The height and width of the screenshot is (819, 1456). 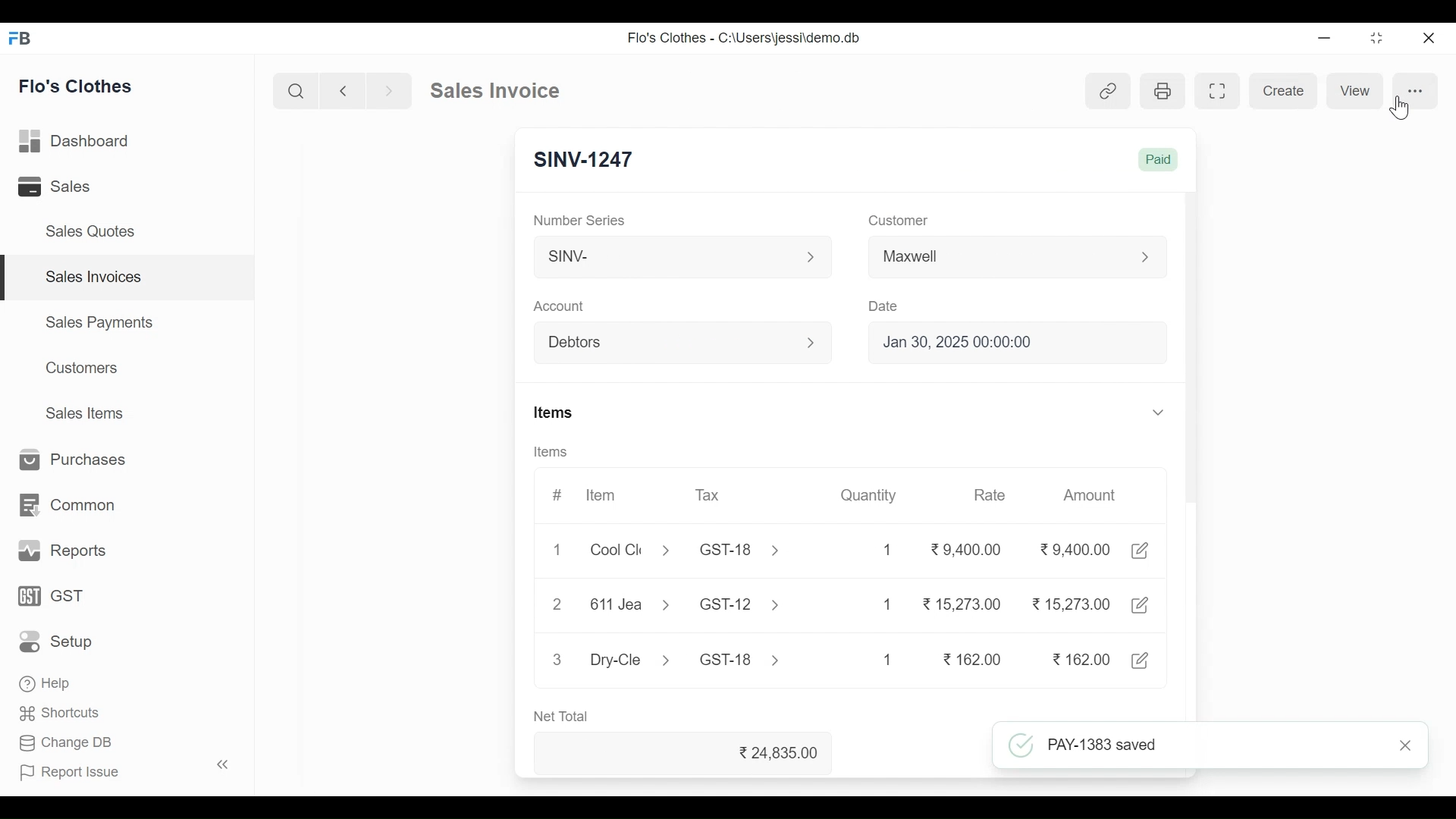 What do you see at coordinates (899, 222) in the screenshot?
I see `Customer` at bounding box center [899, 222].